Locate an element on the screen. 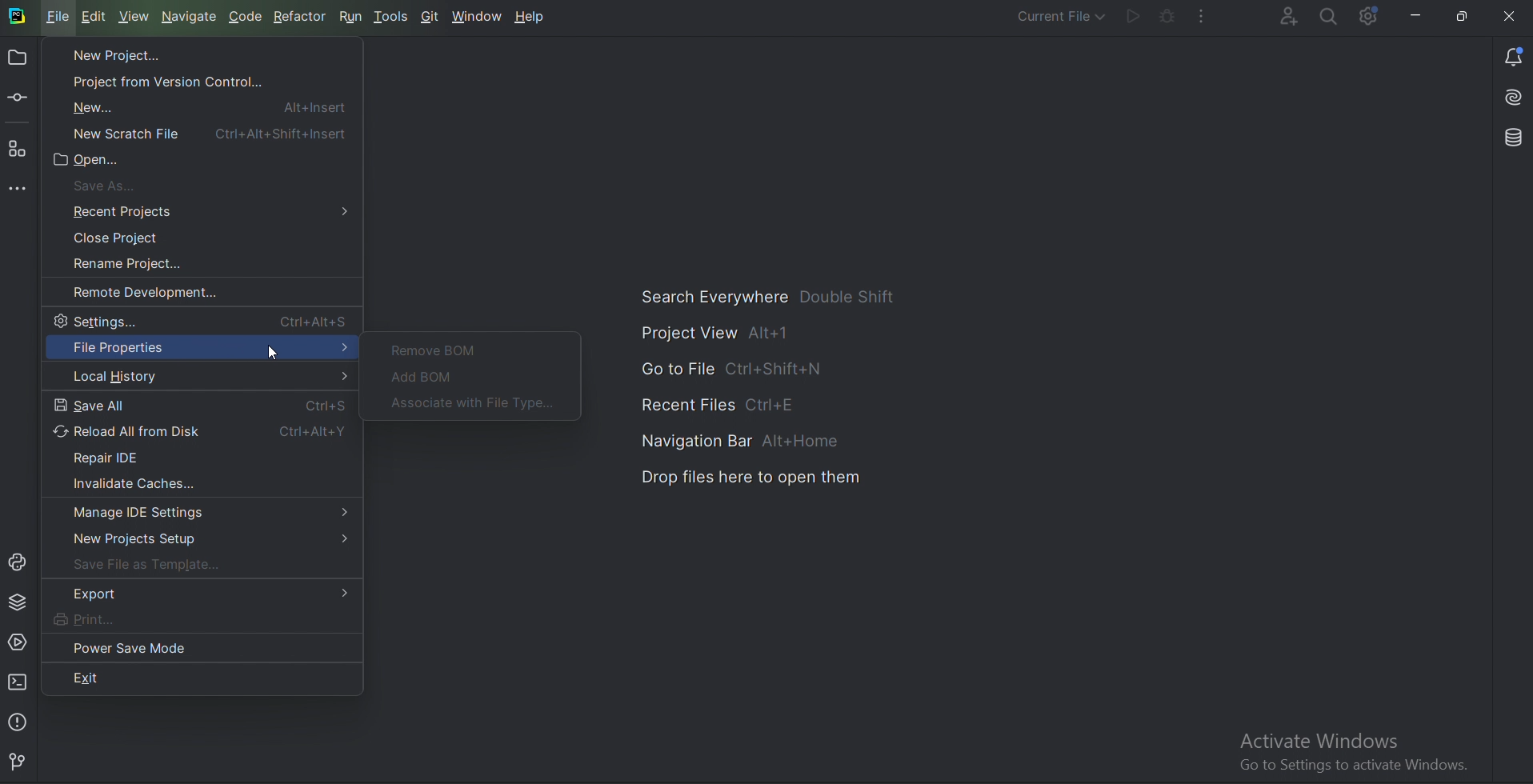 This screenshot has height=784, width=1533. Invalidate Caches is located at coordinates (129, 482).